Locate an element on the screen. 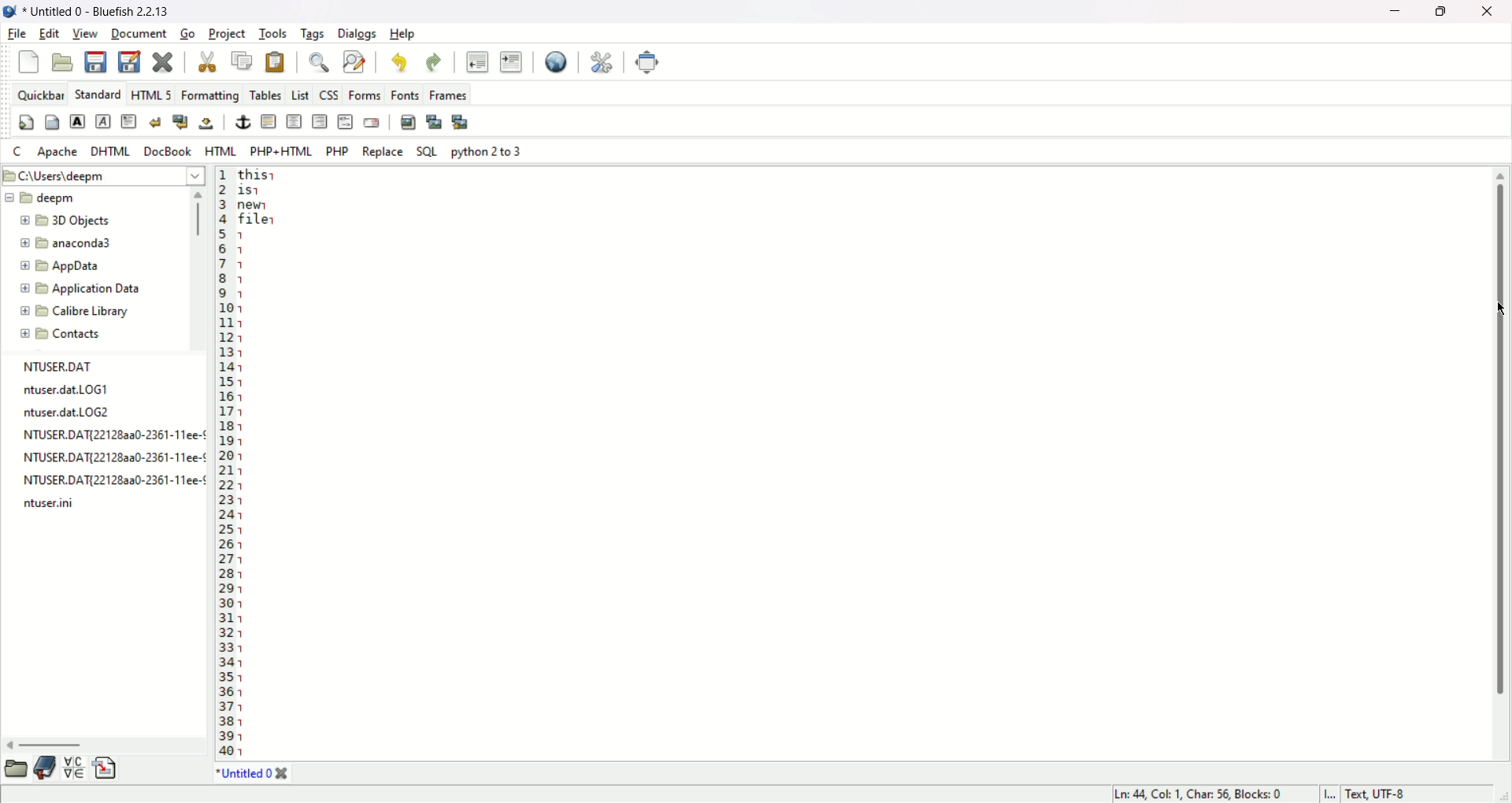 This screenshot has width=1512, height=803. css is located at coordinates (328, 94).